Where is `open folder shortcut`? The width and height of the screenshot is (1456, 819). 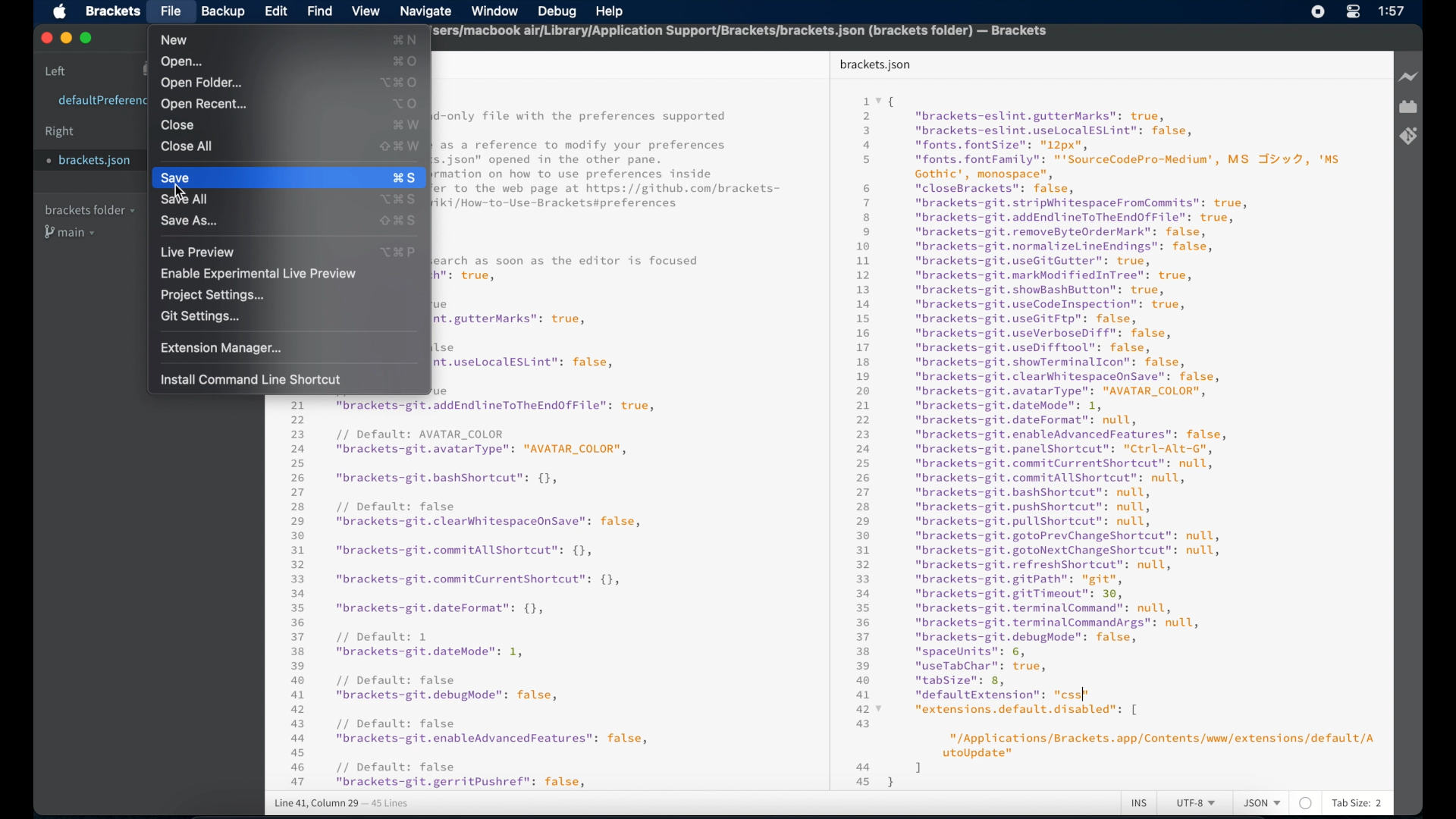 open folder shortcut is located at coordinates (398, 83).